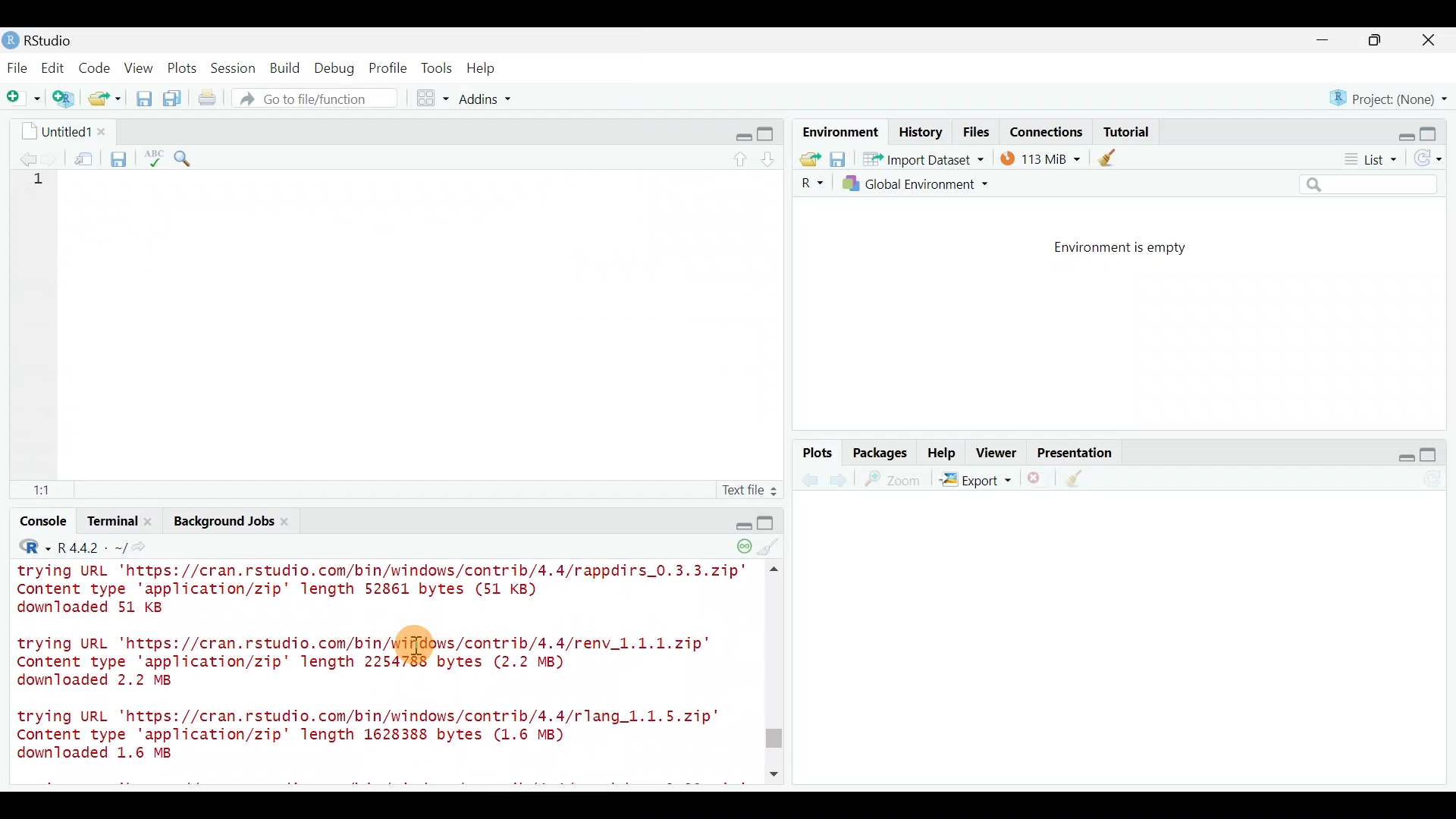  I want to click on Search bar, so click(1371, 185).